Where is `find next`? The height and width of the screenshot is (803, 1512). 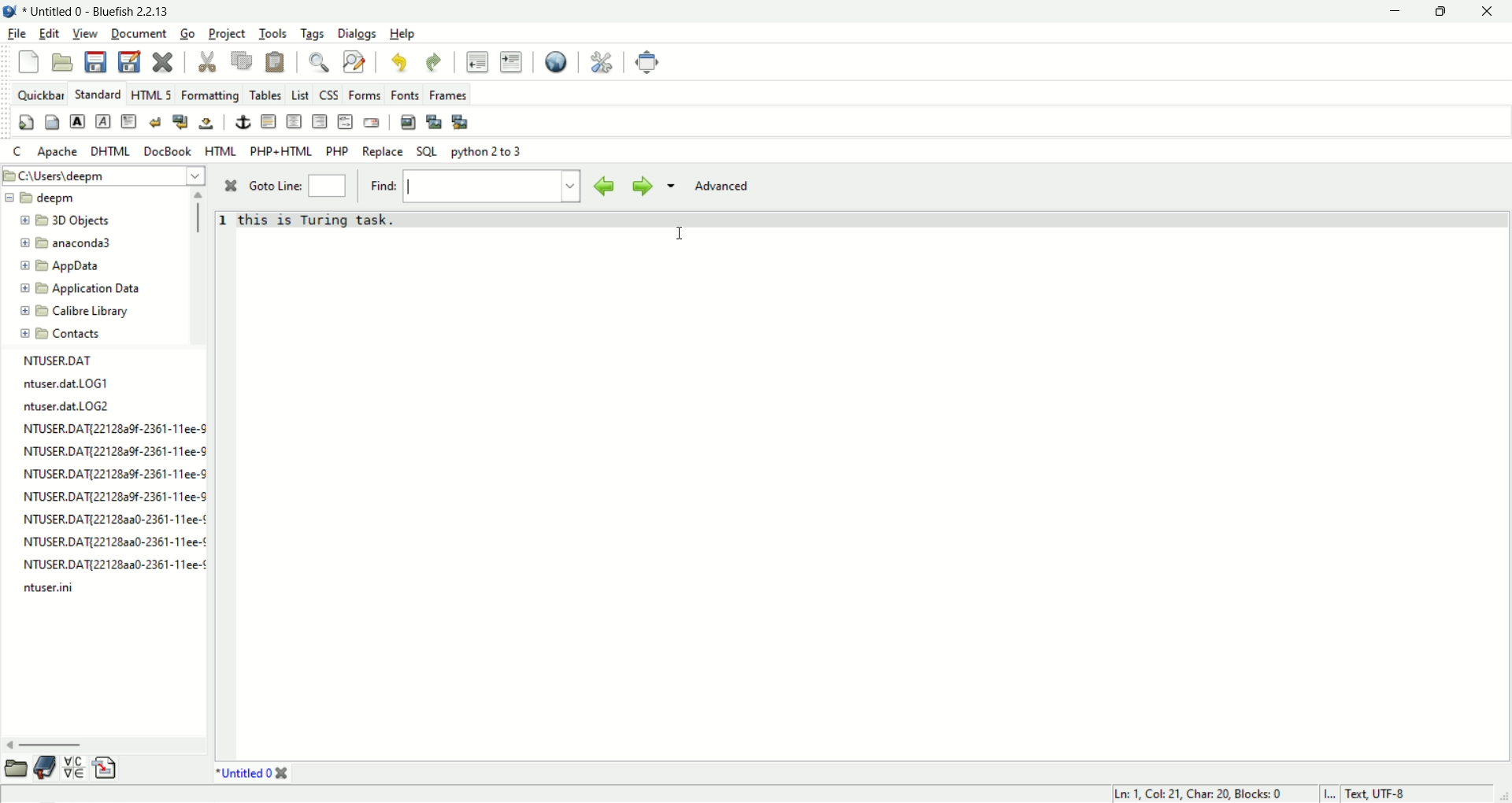 find next is located at coordinates (639, 186).